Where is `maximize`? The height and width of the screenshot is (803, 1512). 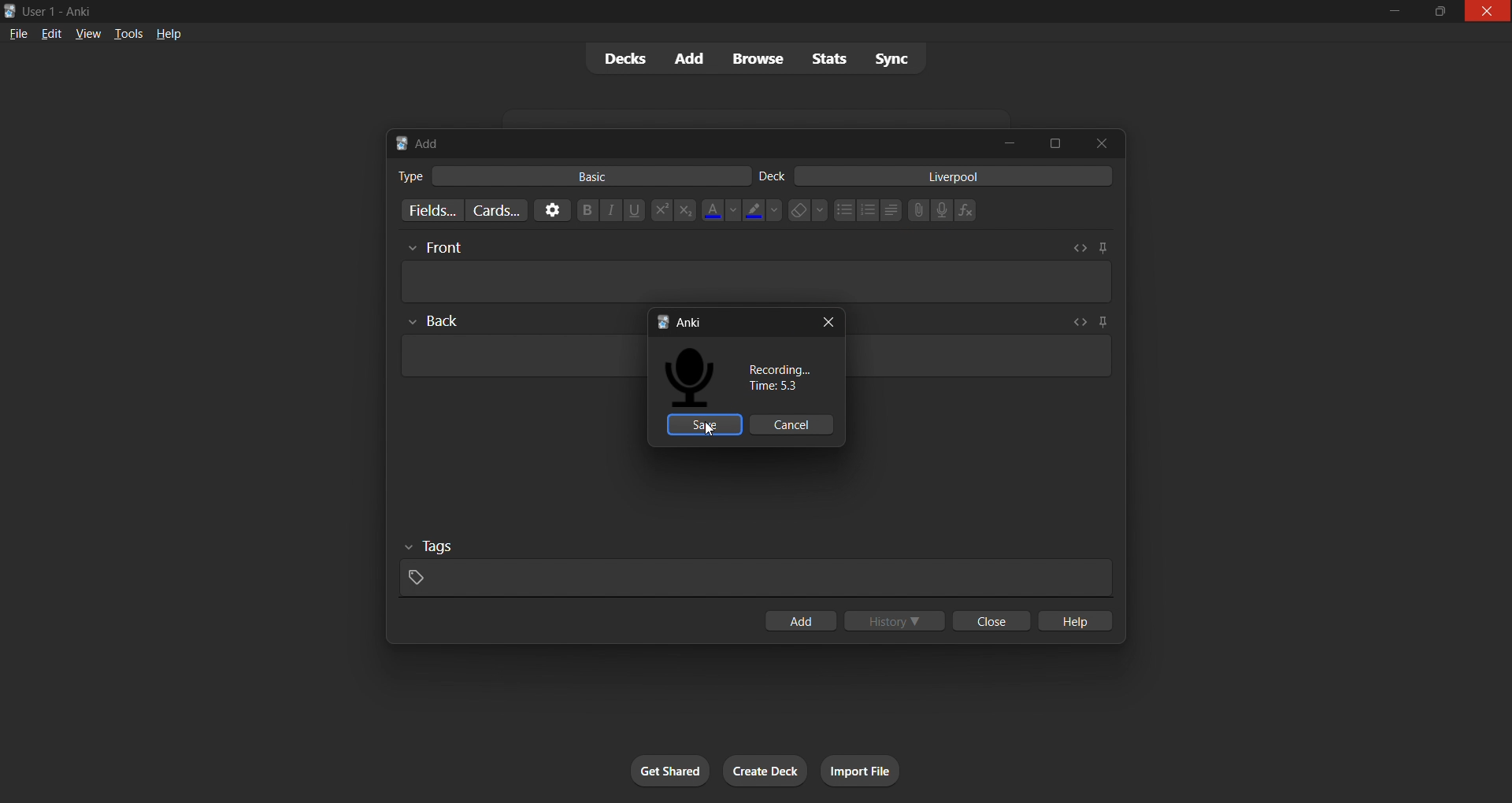
maximize is located at coordinates (1052, 140).